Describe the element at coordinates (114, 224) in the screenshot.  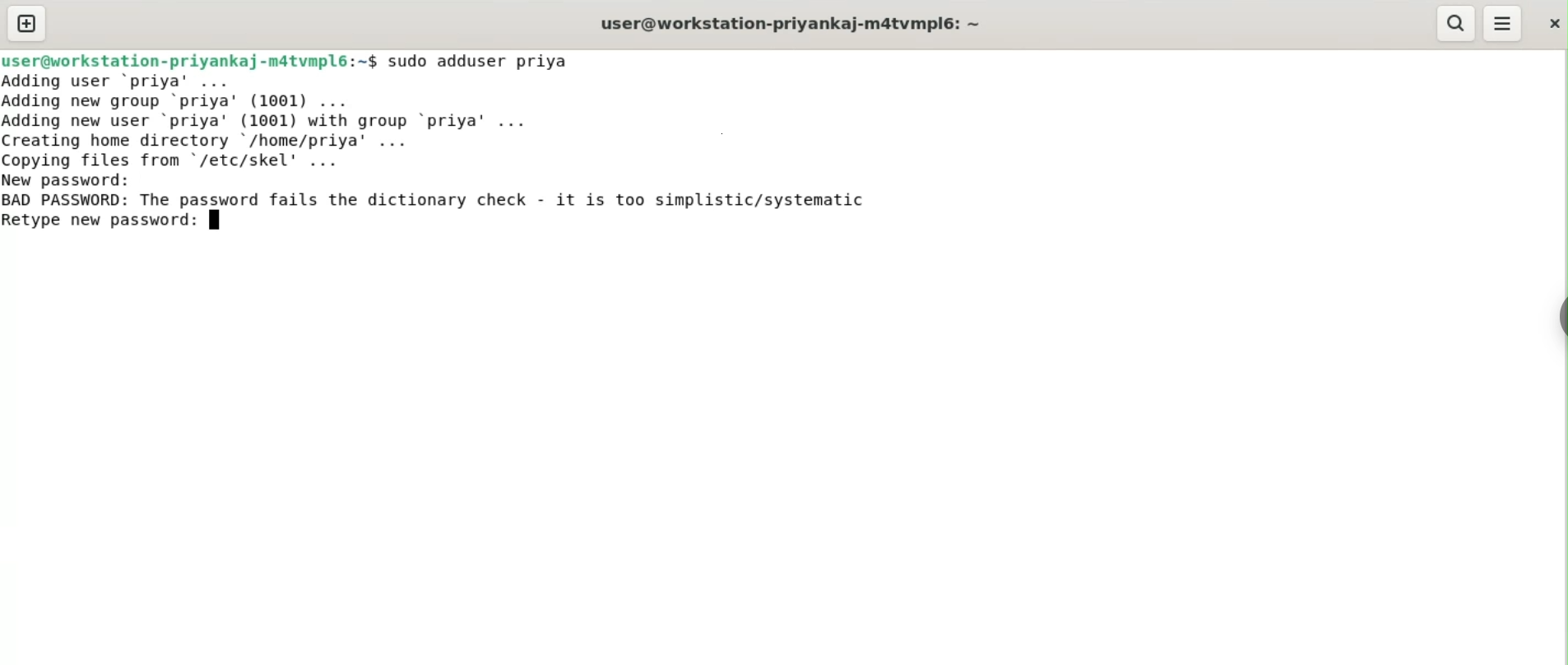
I see `retype new password` at that location.